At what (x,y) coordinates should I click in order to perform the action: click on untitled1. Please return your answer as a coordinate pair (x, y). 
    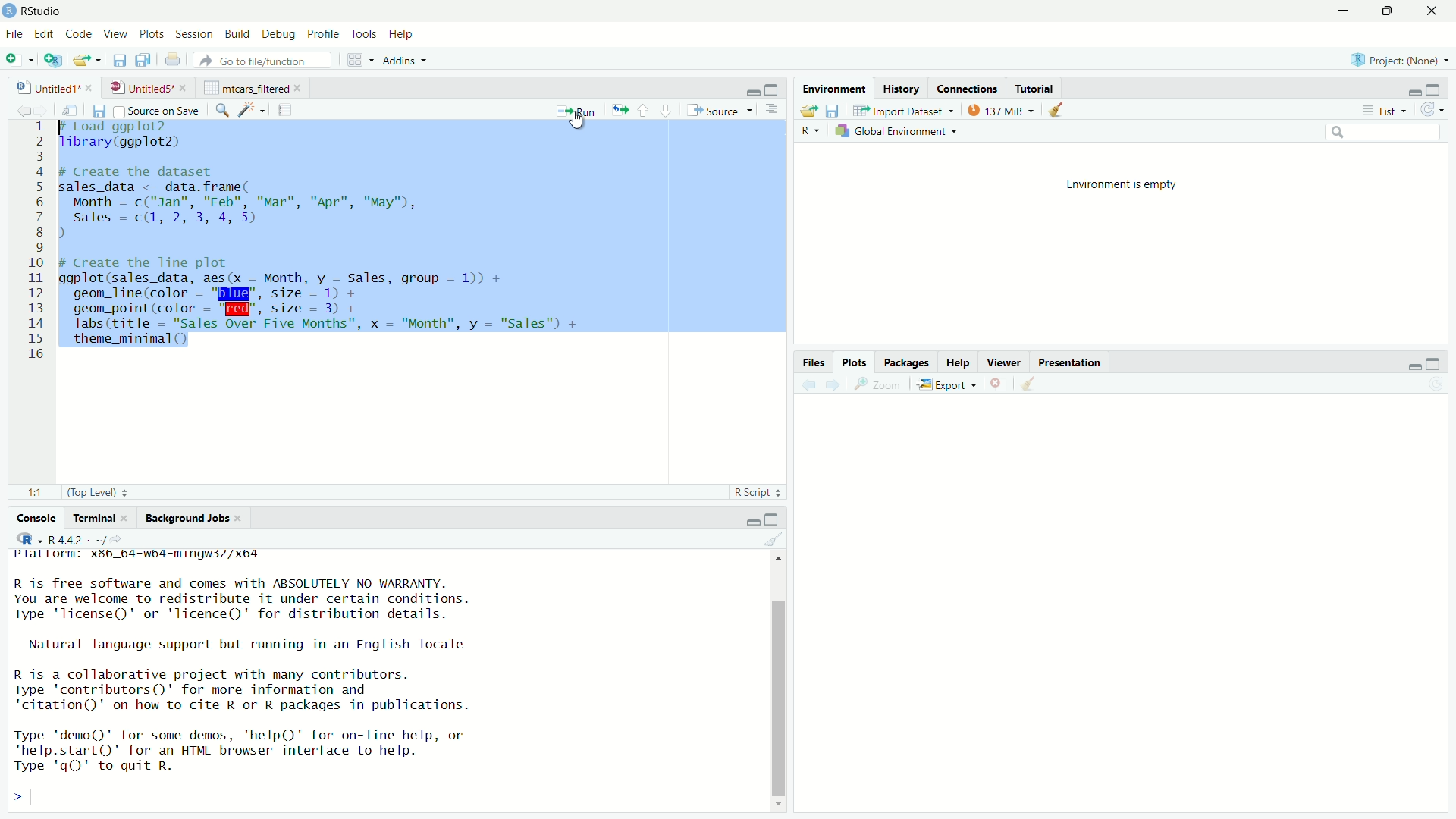
    Looking at the image, I should click on (46, 88).